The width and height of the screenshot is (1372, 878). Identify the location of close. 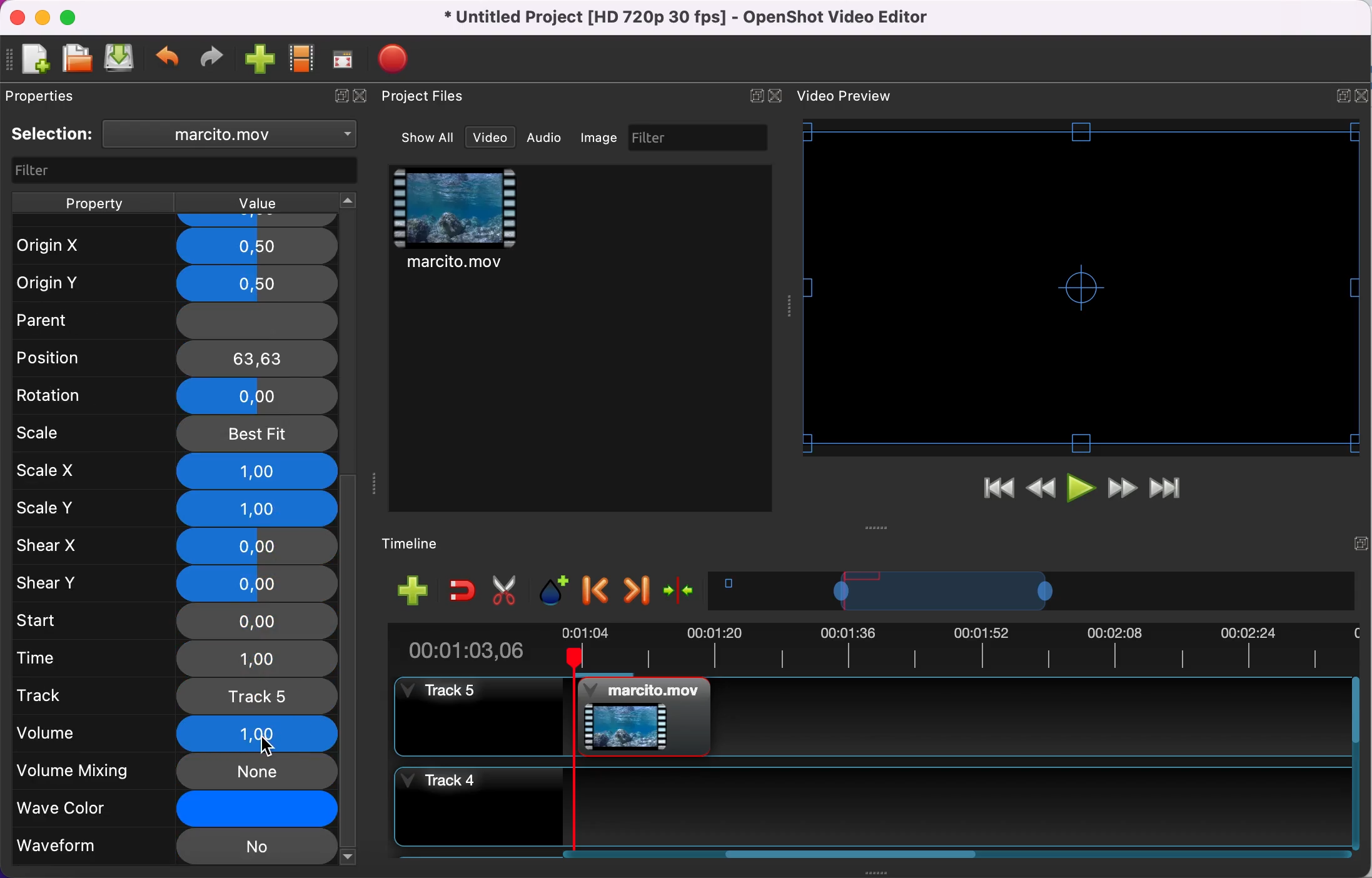
(17, 18).